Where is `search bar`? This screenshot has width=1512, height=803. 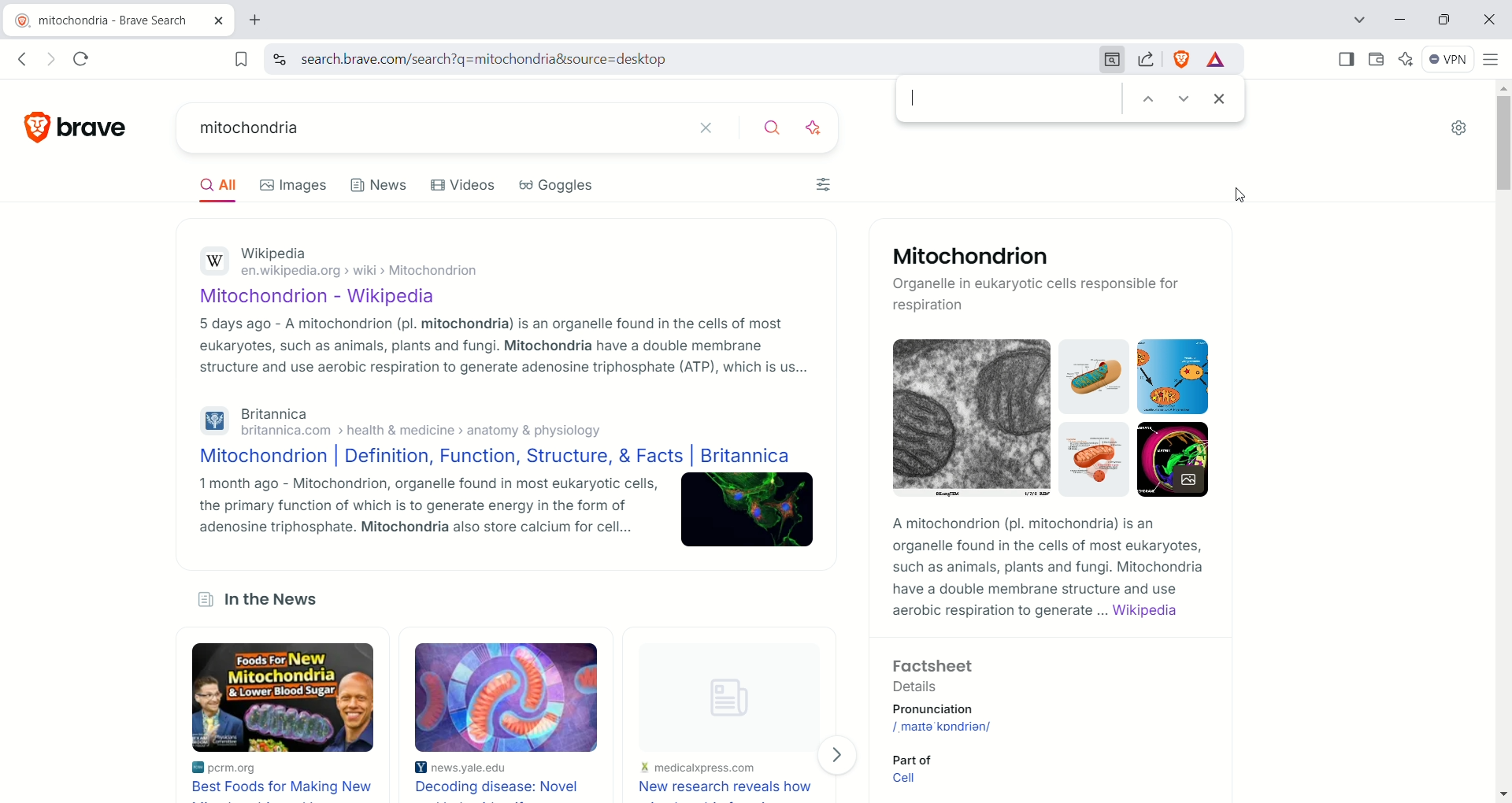 search bar is located at coordinates (1017, 98).